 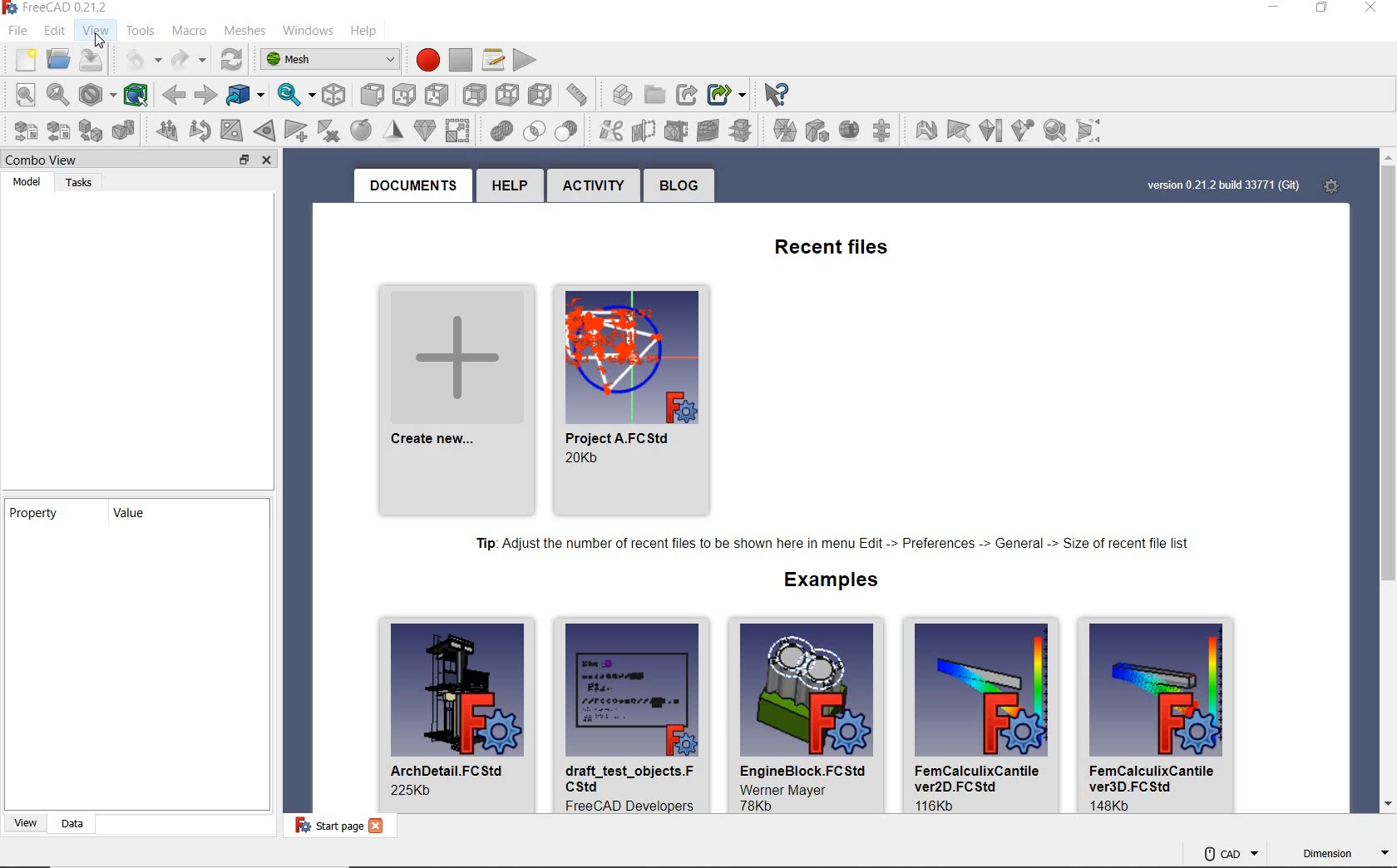 I want to click on switch between workbenches, so click(x=327, y=57).